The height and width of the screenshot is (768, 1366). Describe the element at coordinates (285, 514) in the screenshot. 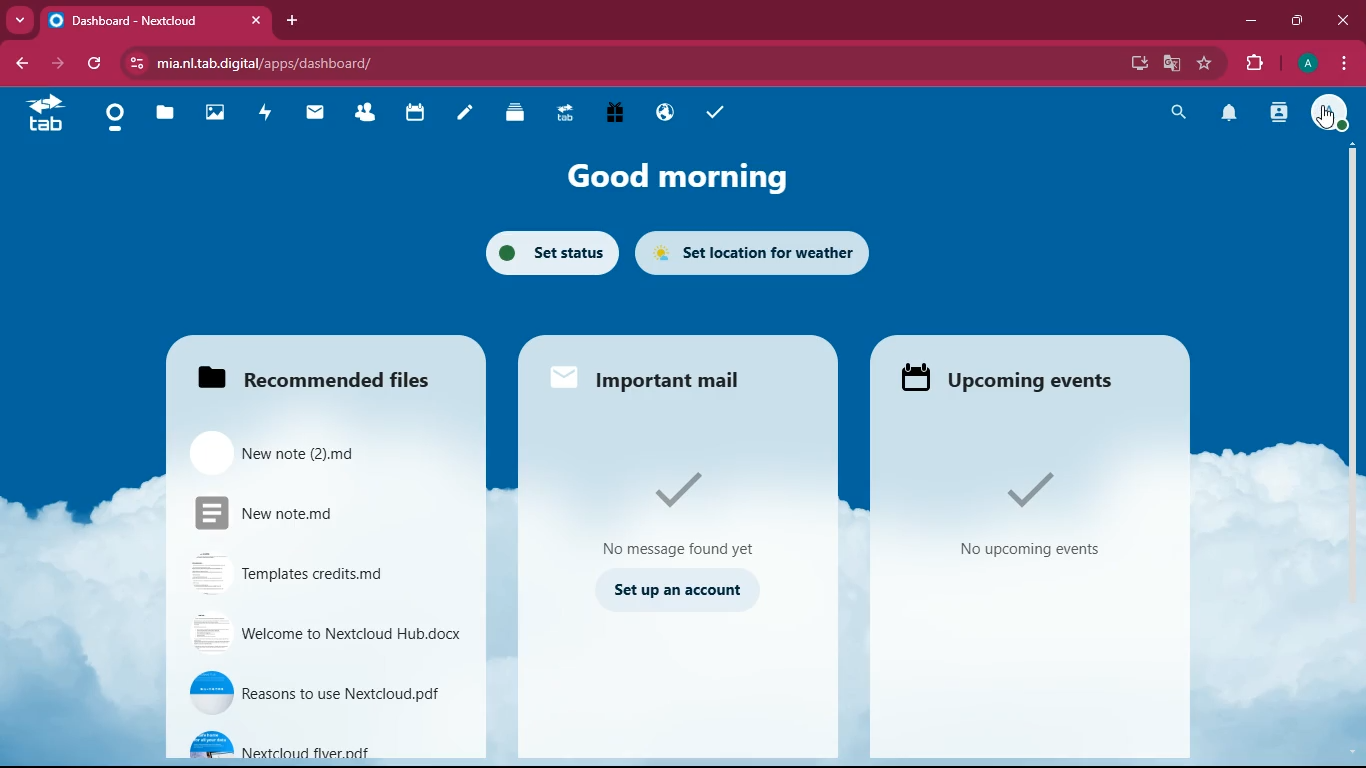

I see `New note.md` at that location.